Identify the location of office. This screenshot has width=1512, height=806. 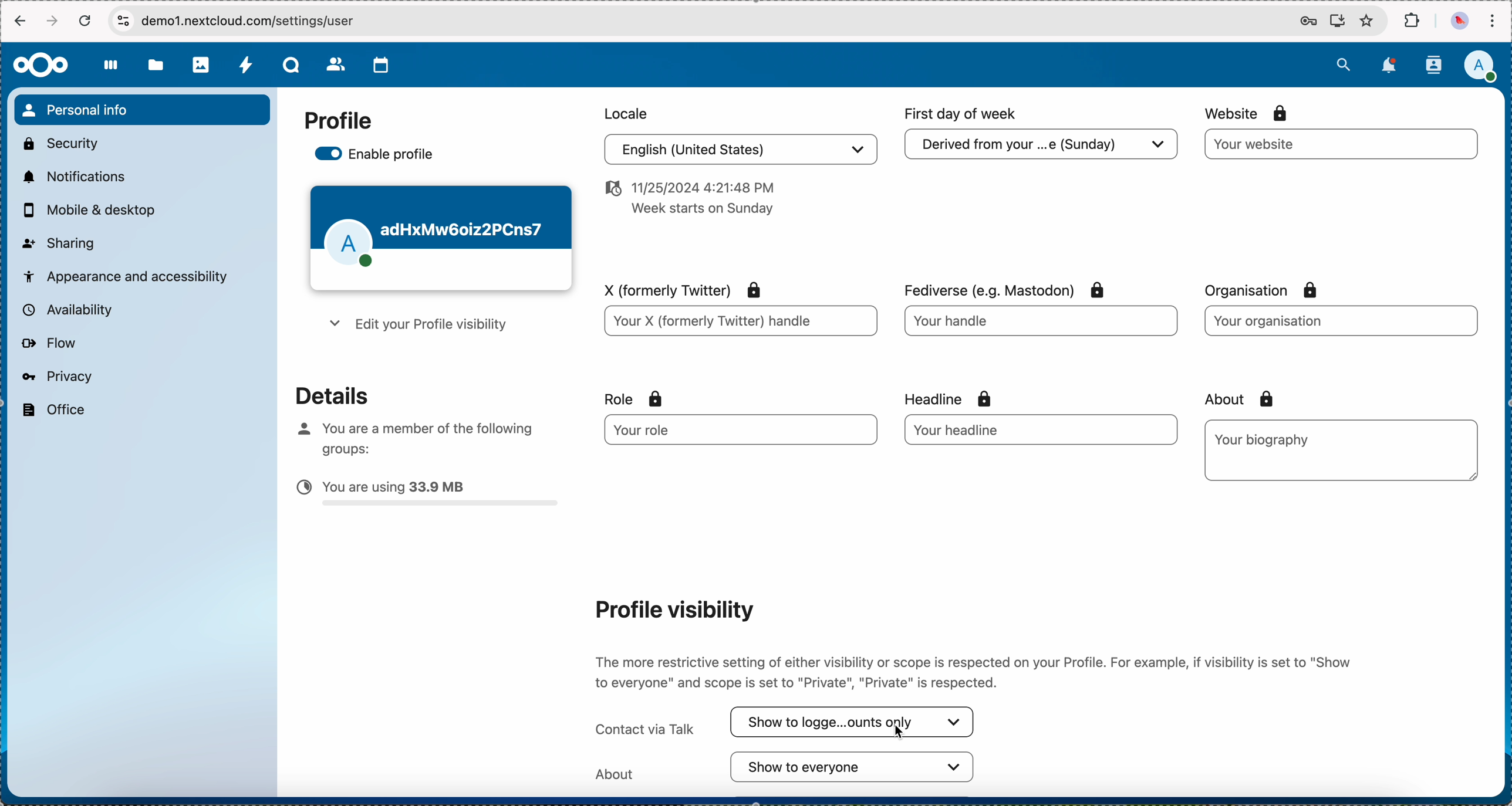
(52, 410).